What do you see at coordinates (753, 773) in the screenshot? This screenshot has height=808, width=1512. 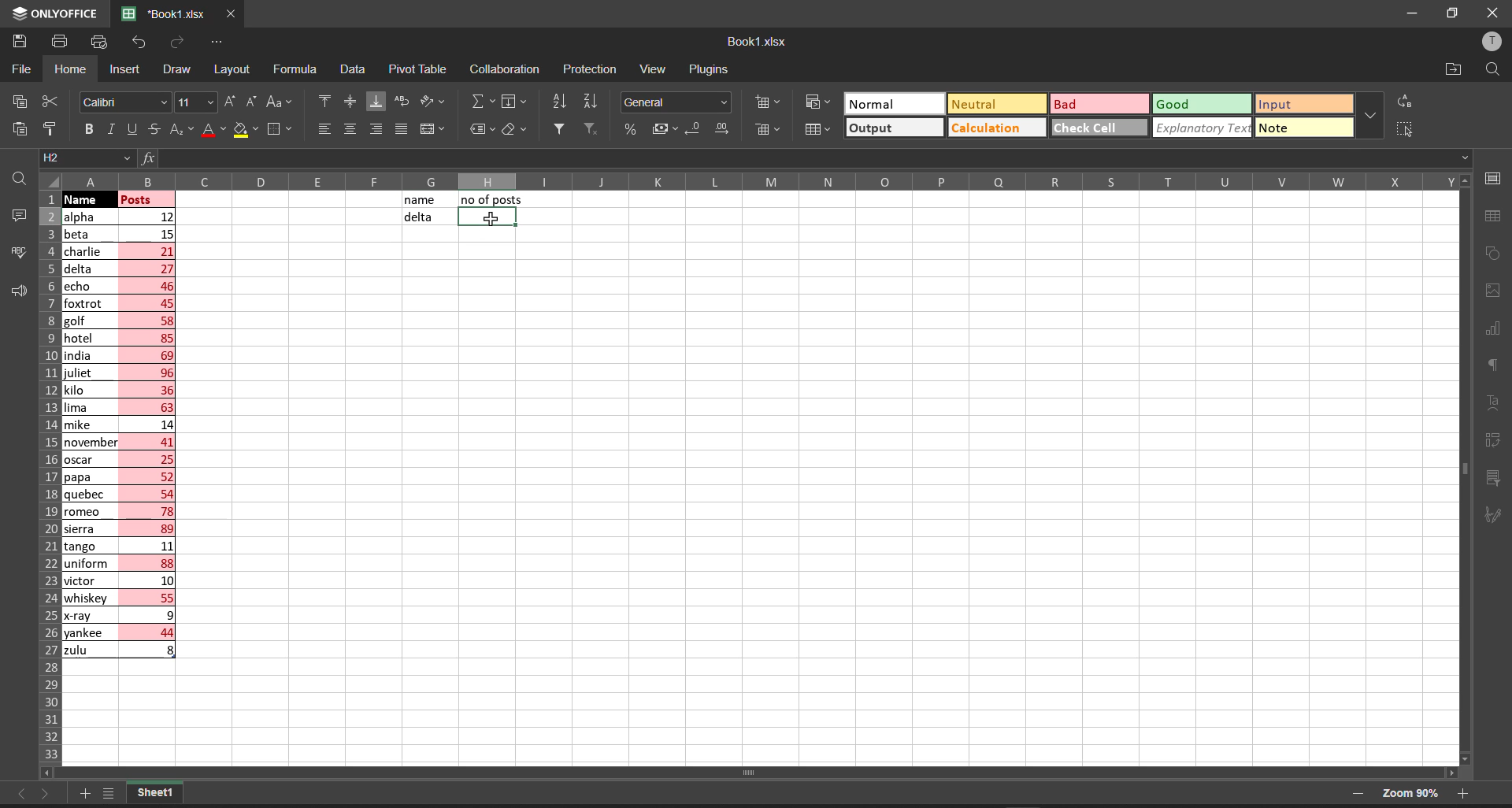 I see `horizontal scroll bar` at bounding box center [753, 773].